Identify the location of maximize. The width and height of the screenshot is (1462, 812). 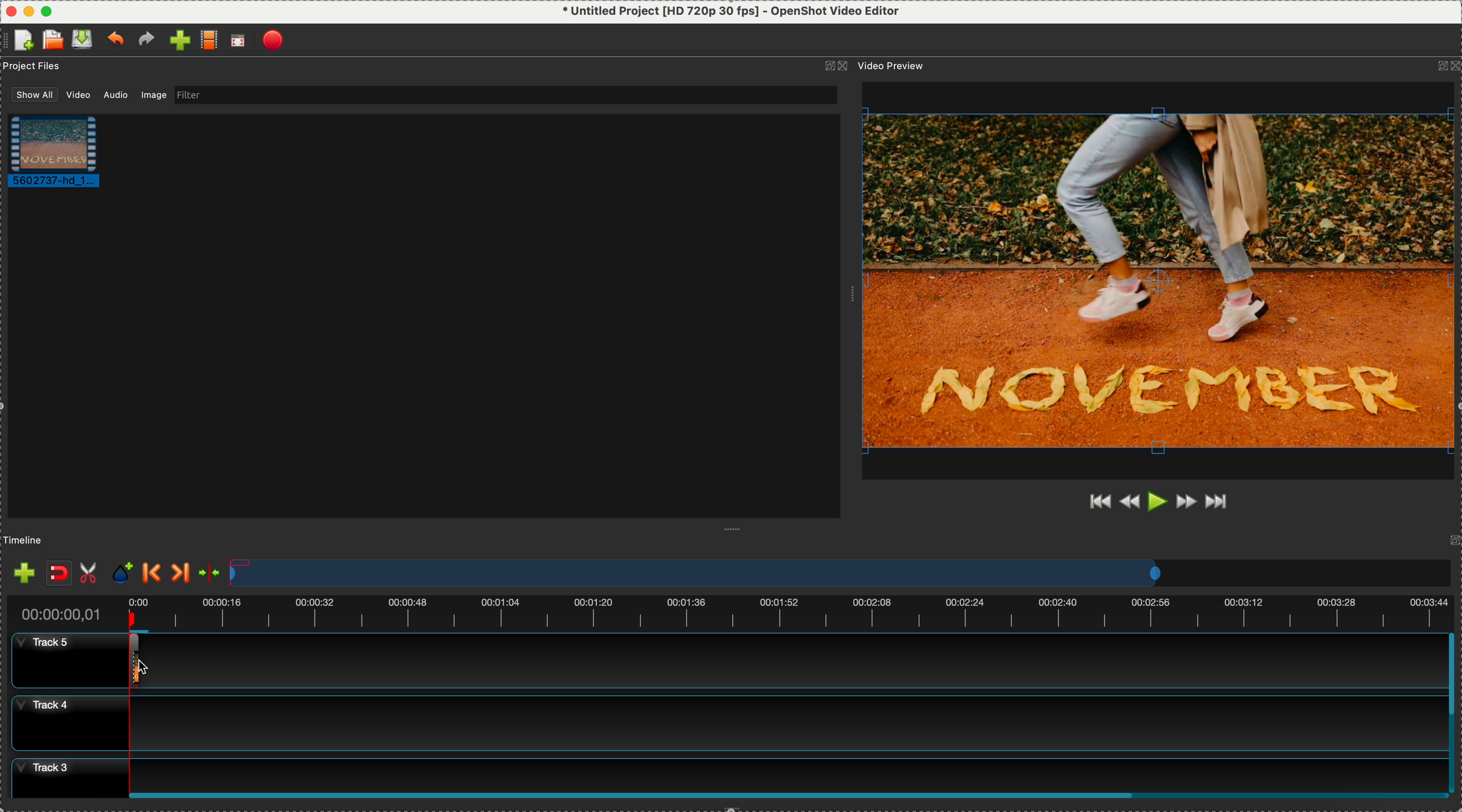
(46, 10).